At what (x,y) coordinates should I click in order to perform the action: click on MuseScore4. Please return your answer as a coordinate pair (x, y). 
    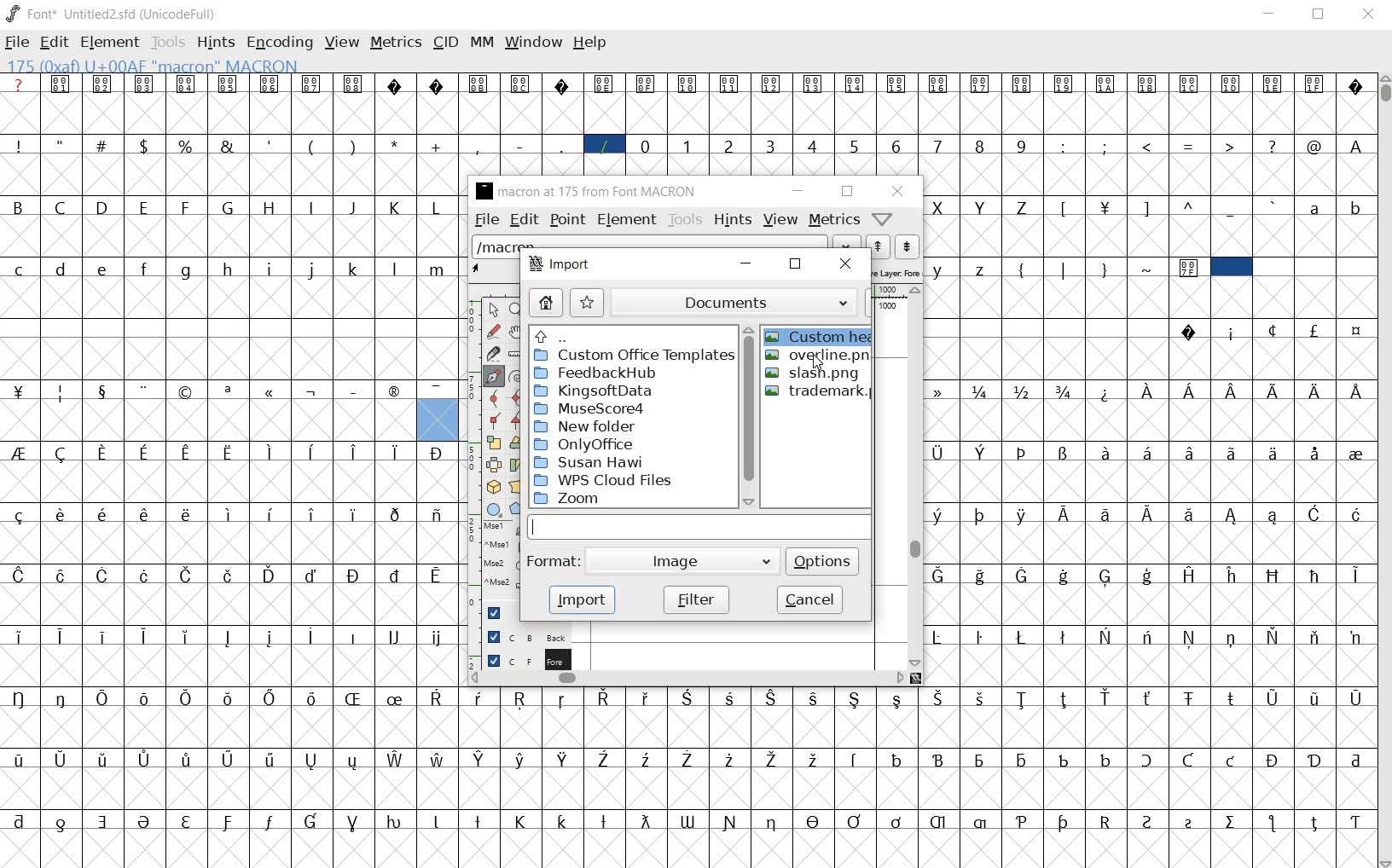
    Looking at the image, I should click on (612, 410).